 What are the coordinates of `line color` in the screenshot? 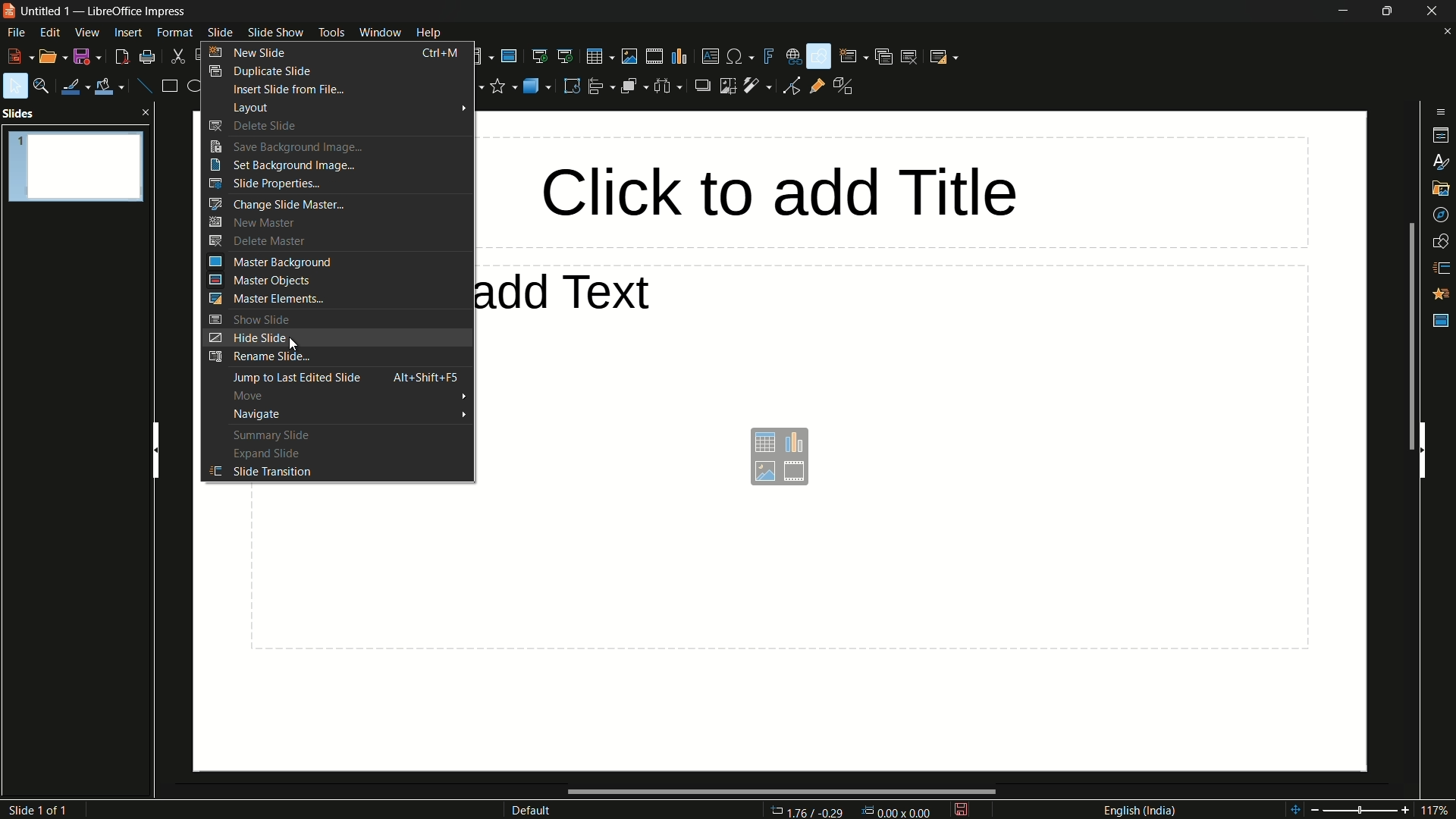 It's located at (74, 88).